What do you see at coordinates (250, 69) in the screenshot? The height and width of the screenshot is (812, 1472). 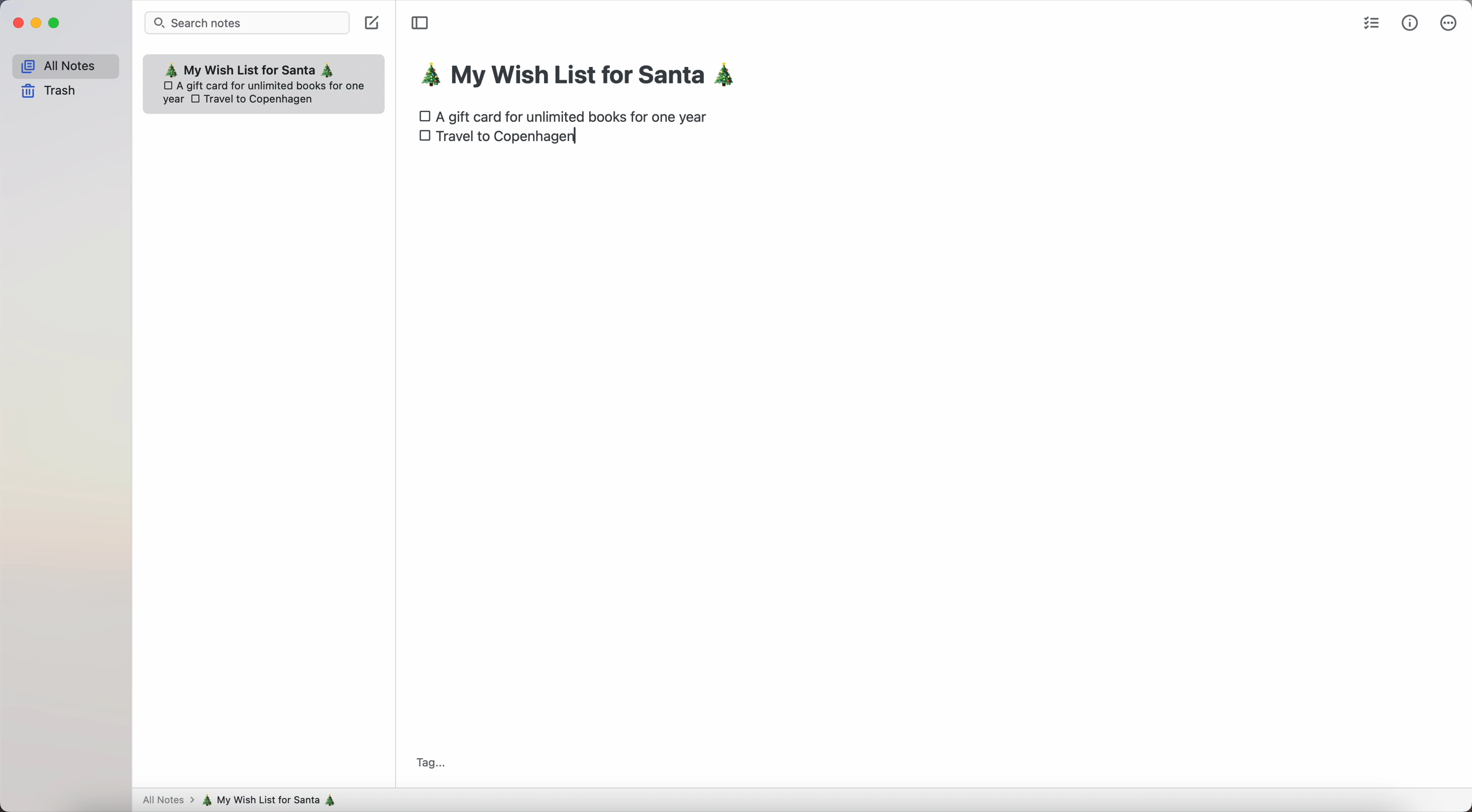 I see `My wish list for Santa` at bounding box center [250, 69].